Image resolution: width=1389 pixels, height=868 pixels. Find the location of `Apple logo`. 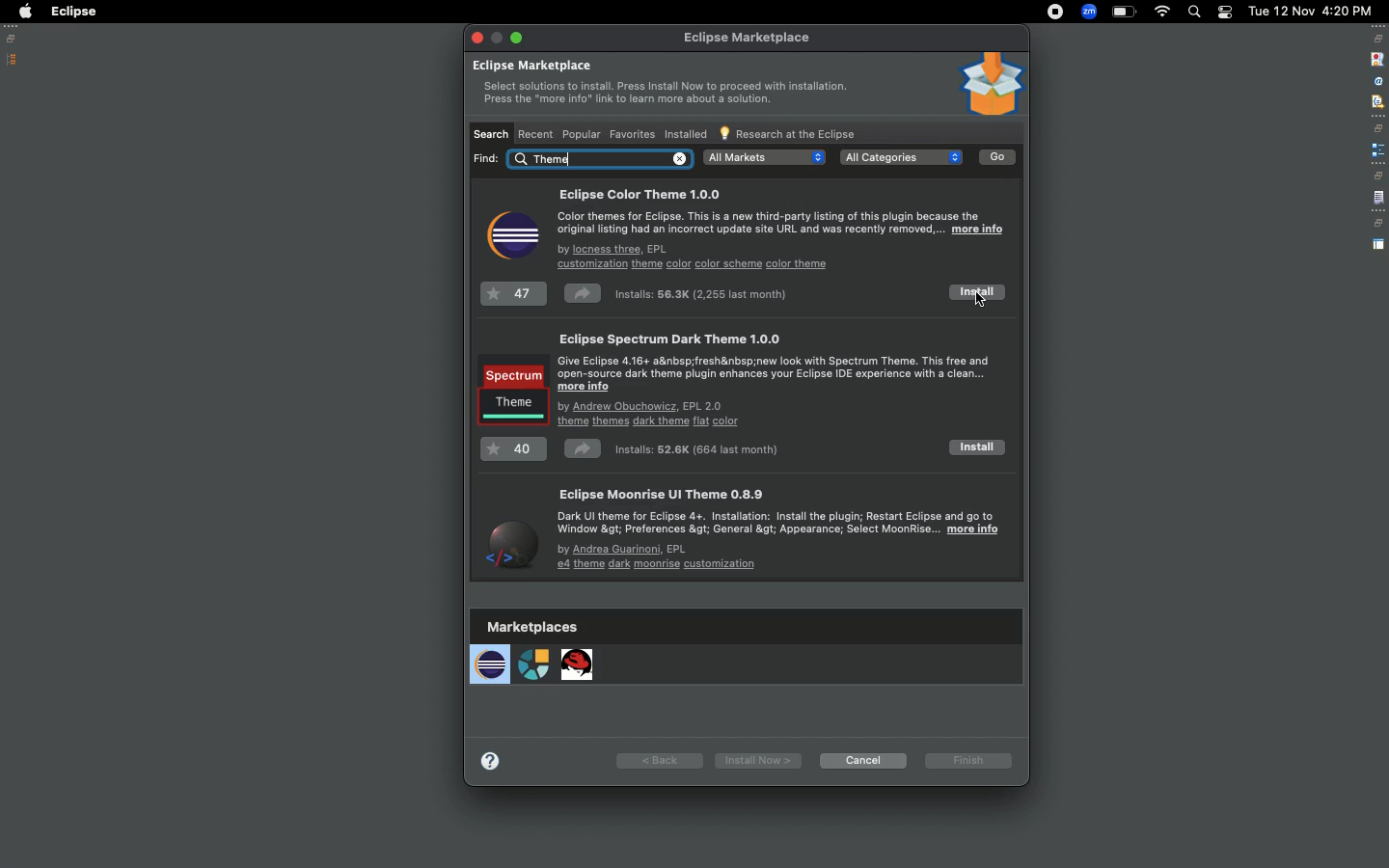

Apple logo is located at coordinates (24, 12).